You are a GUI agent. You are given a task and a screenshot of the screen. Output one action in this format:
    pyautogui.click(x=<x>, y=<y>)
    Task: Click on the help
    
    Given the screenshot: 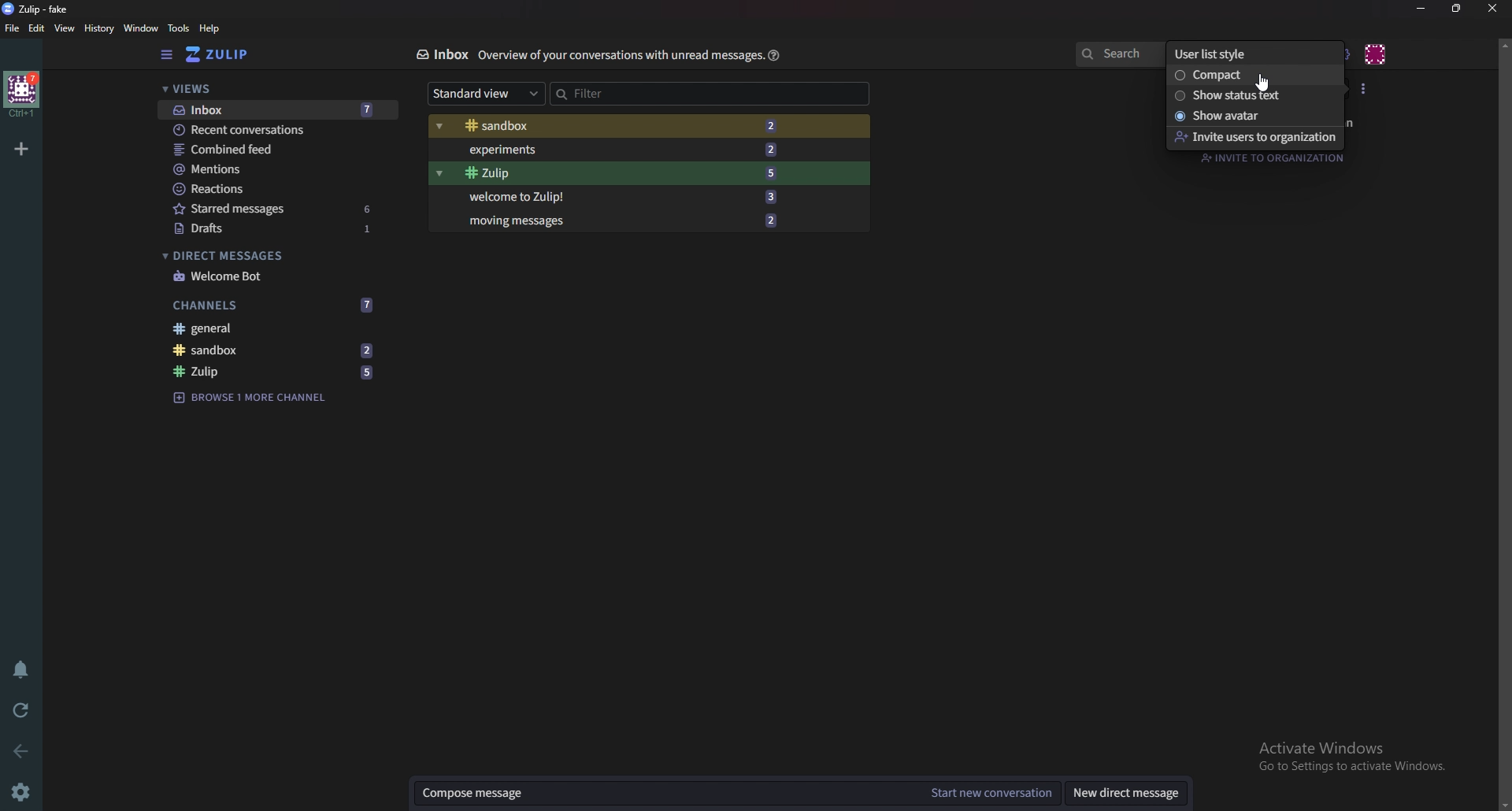 What is the action you would take?
    pyautogui.click(x=775, y=54)
    